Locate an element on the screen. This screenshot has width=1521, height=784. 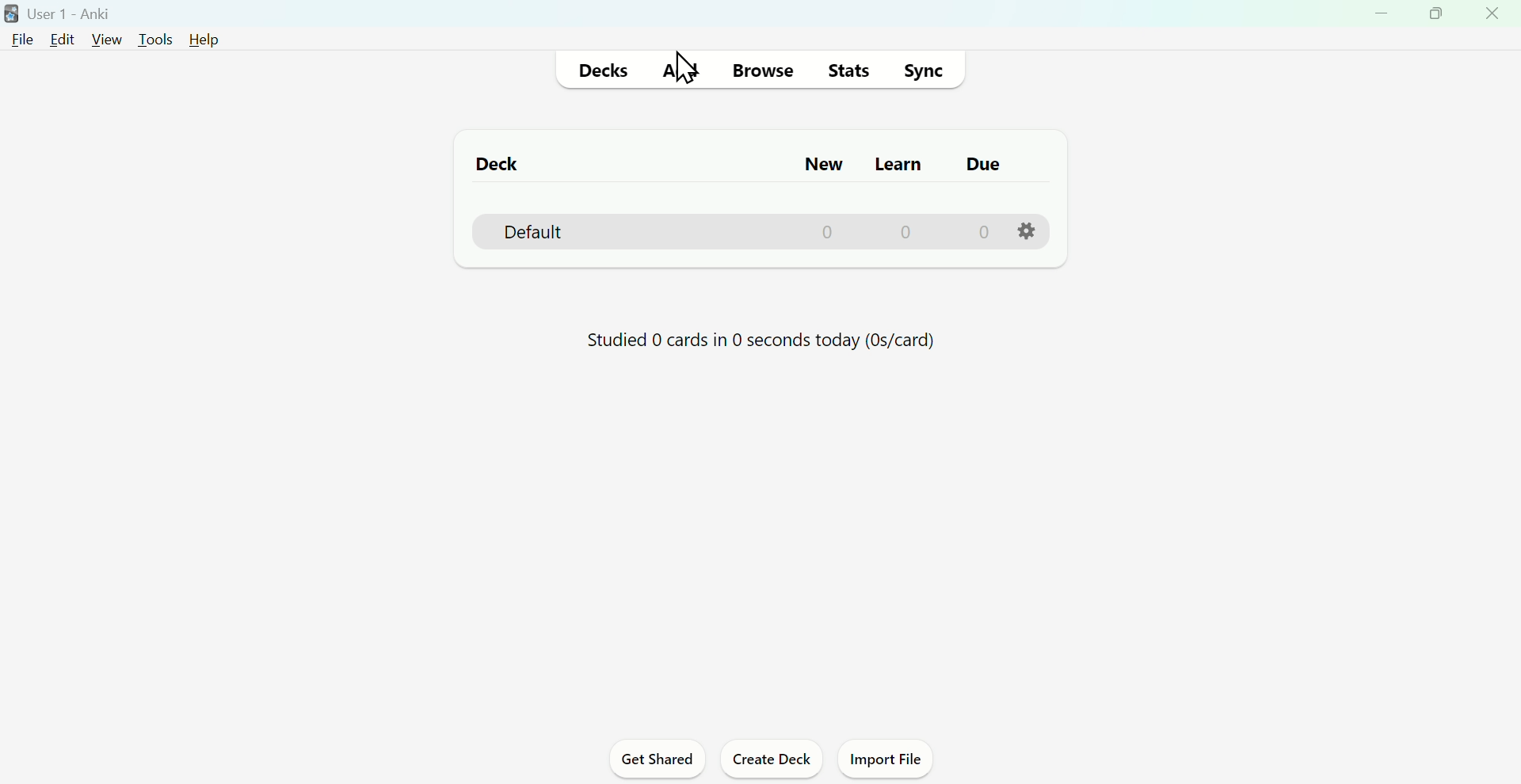
Learn is located at coordinates (899, 163).